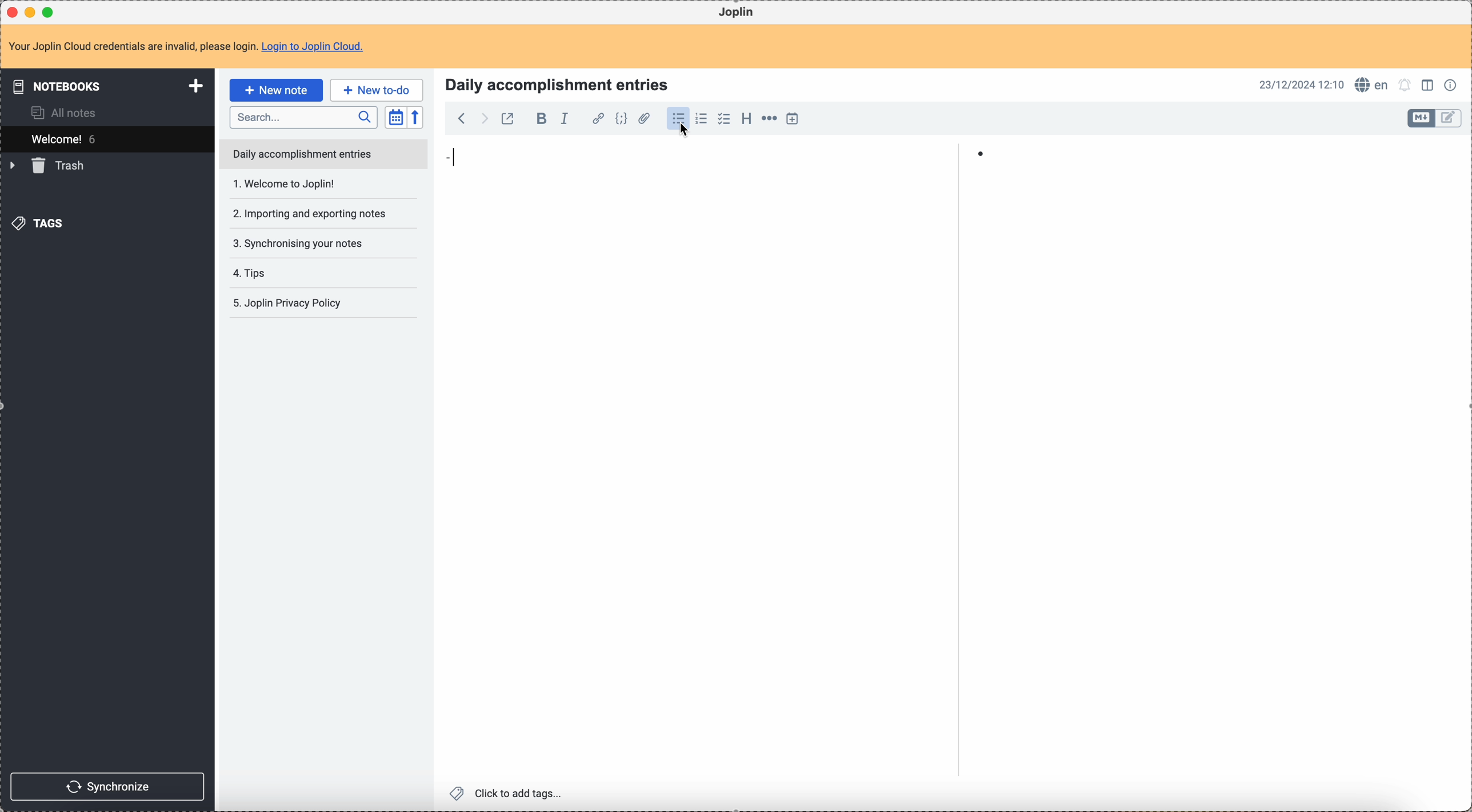  I want to click on bold, so click(538, 119).